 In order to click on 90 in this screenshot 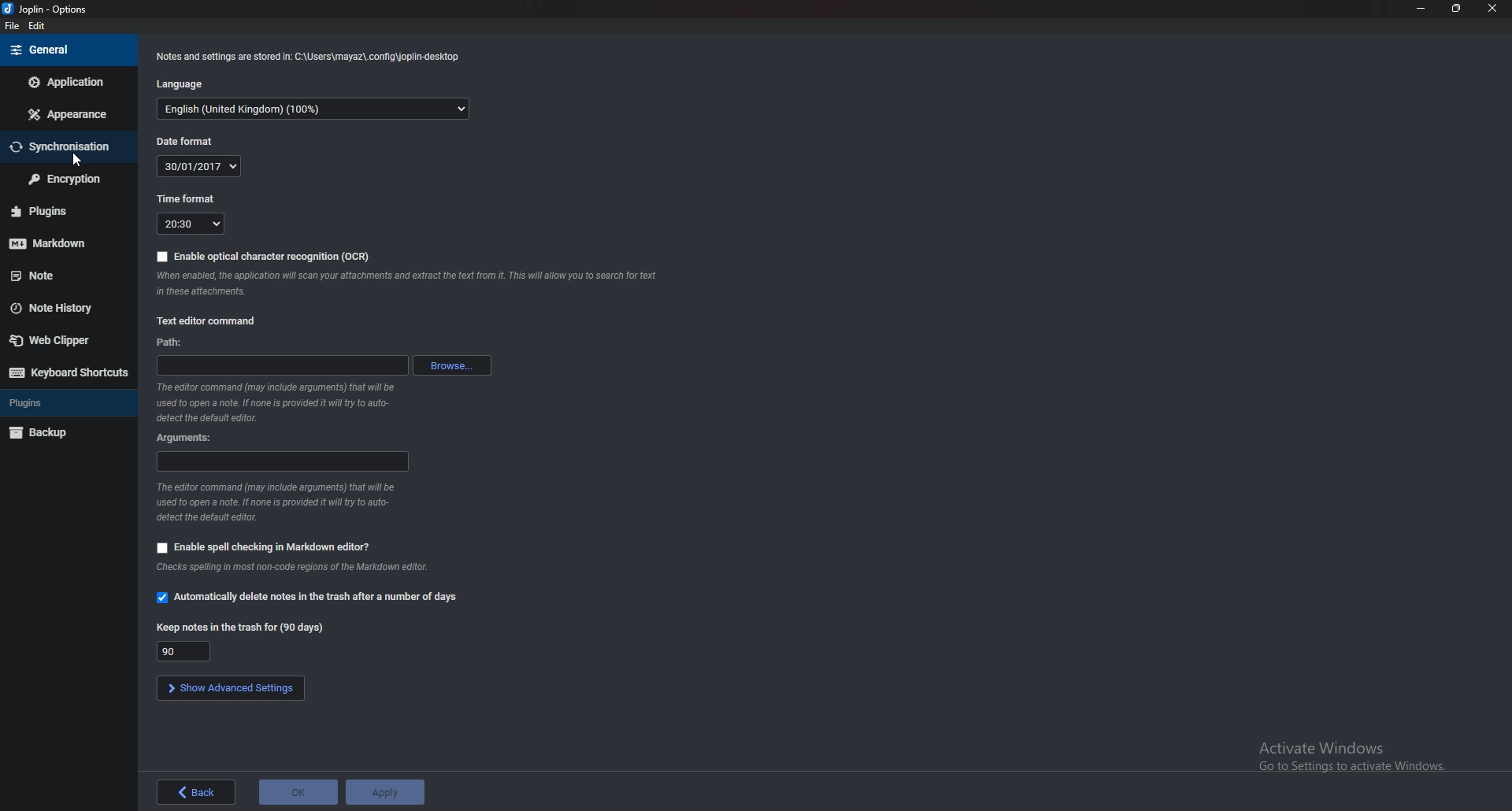, I will do `click(183, 651)`.